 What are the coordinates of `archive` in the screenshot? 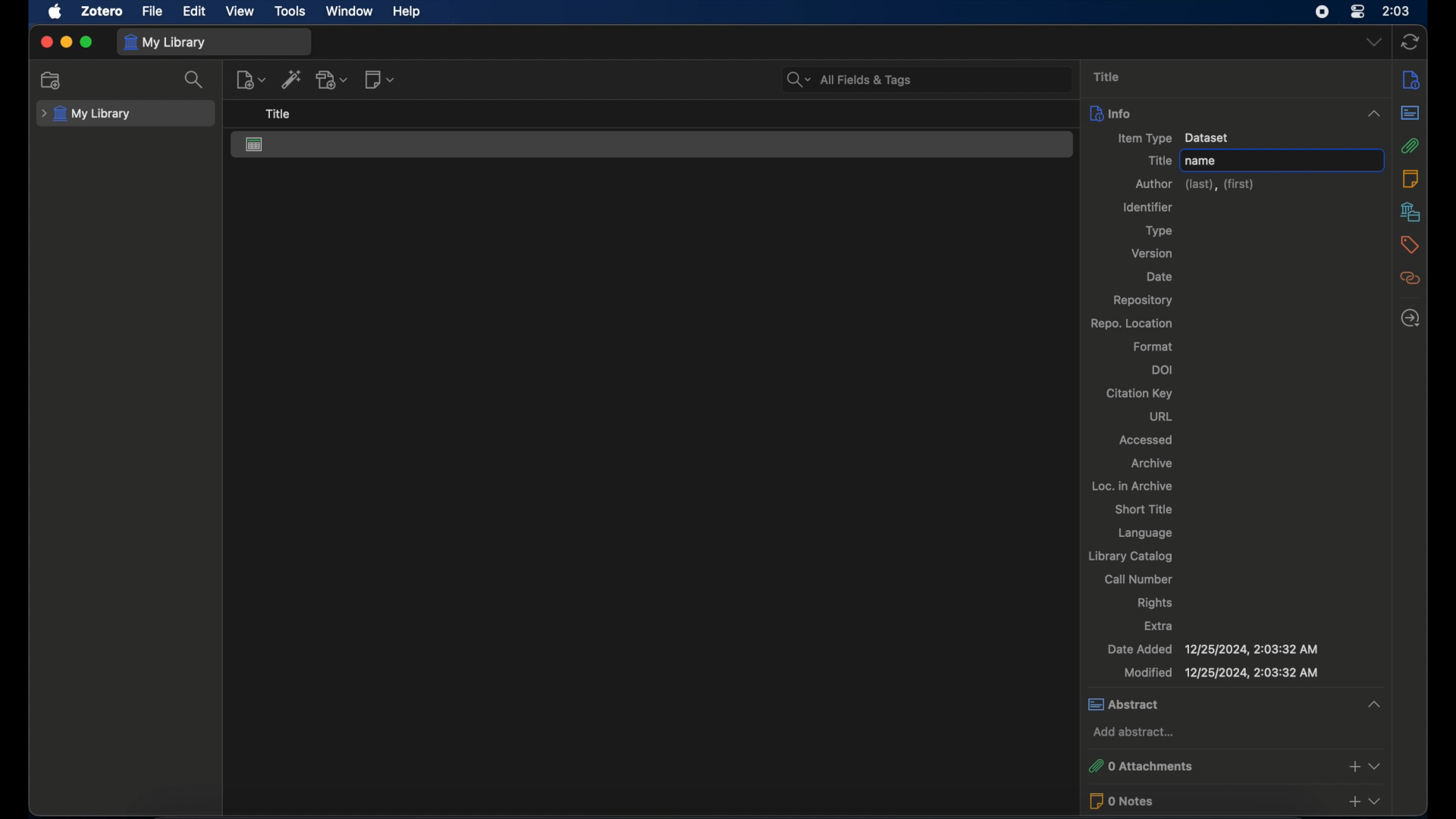 It's located at (1152, 463).